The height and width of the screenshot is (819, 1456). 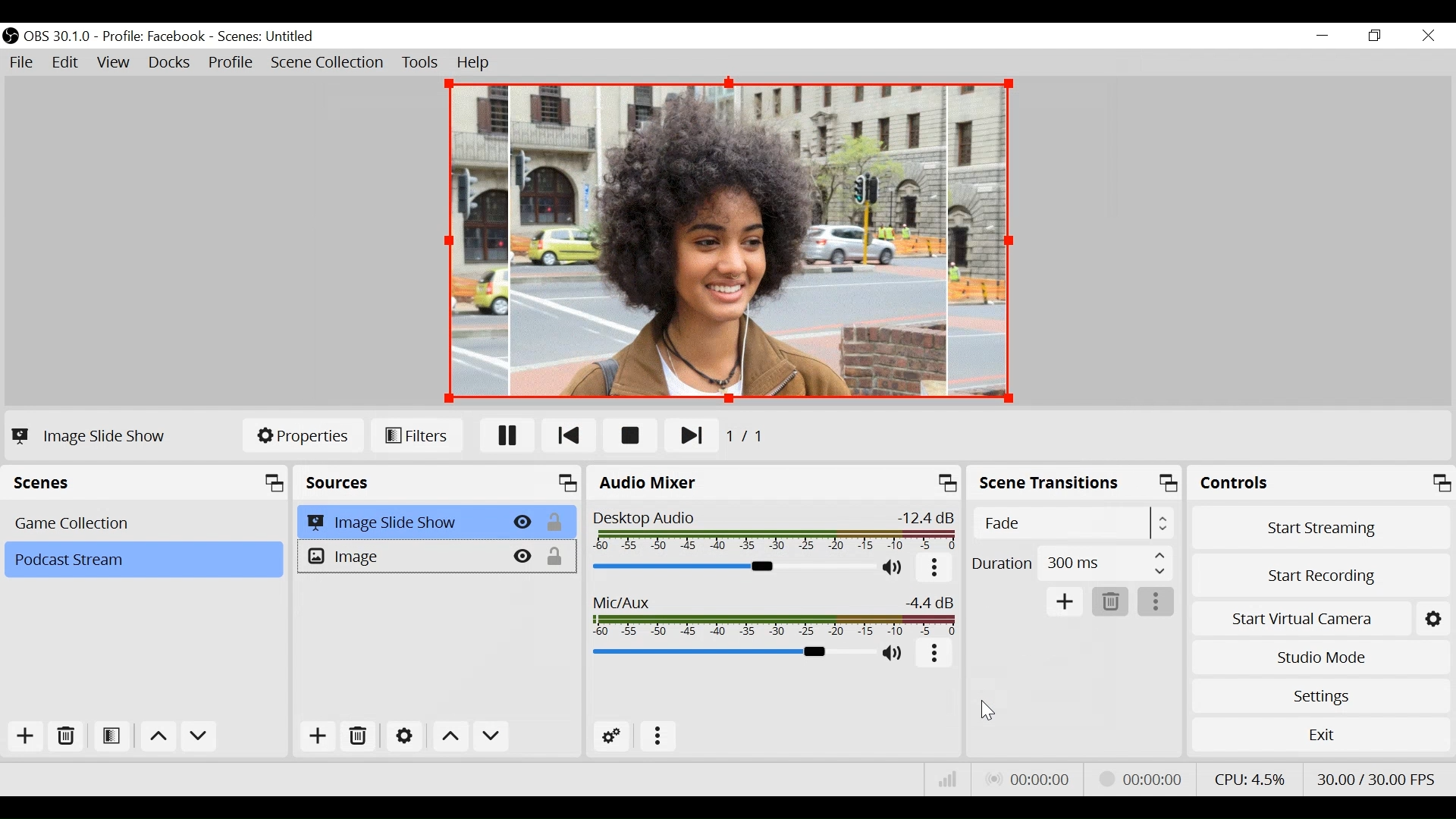 I want to click on Cursor, so click(x=324, y=747).